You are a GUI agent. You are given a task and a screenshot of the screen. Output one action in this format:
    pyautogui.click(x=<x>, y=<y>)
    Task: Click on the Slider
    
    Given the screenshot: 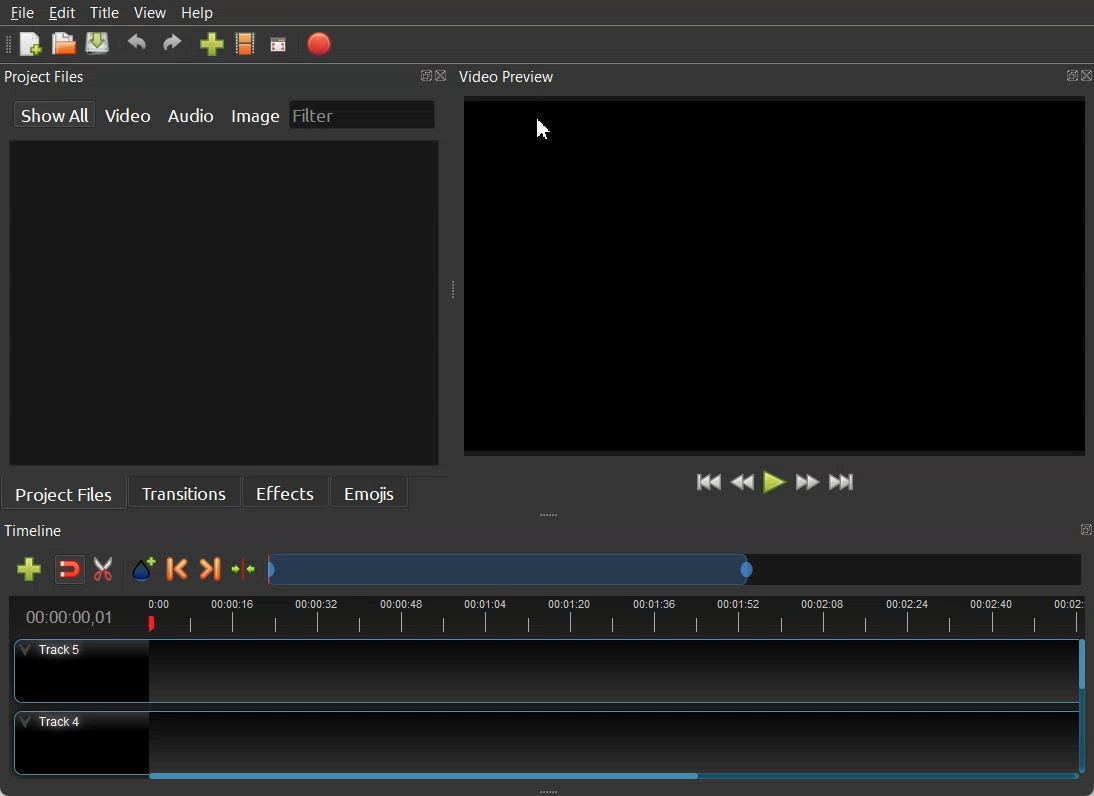 What is the action you would take?
    pyautogui.click(x=675, y=567)
    